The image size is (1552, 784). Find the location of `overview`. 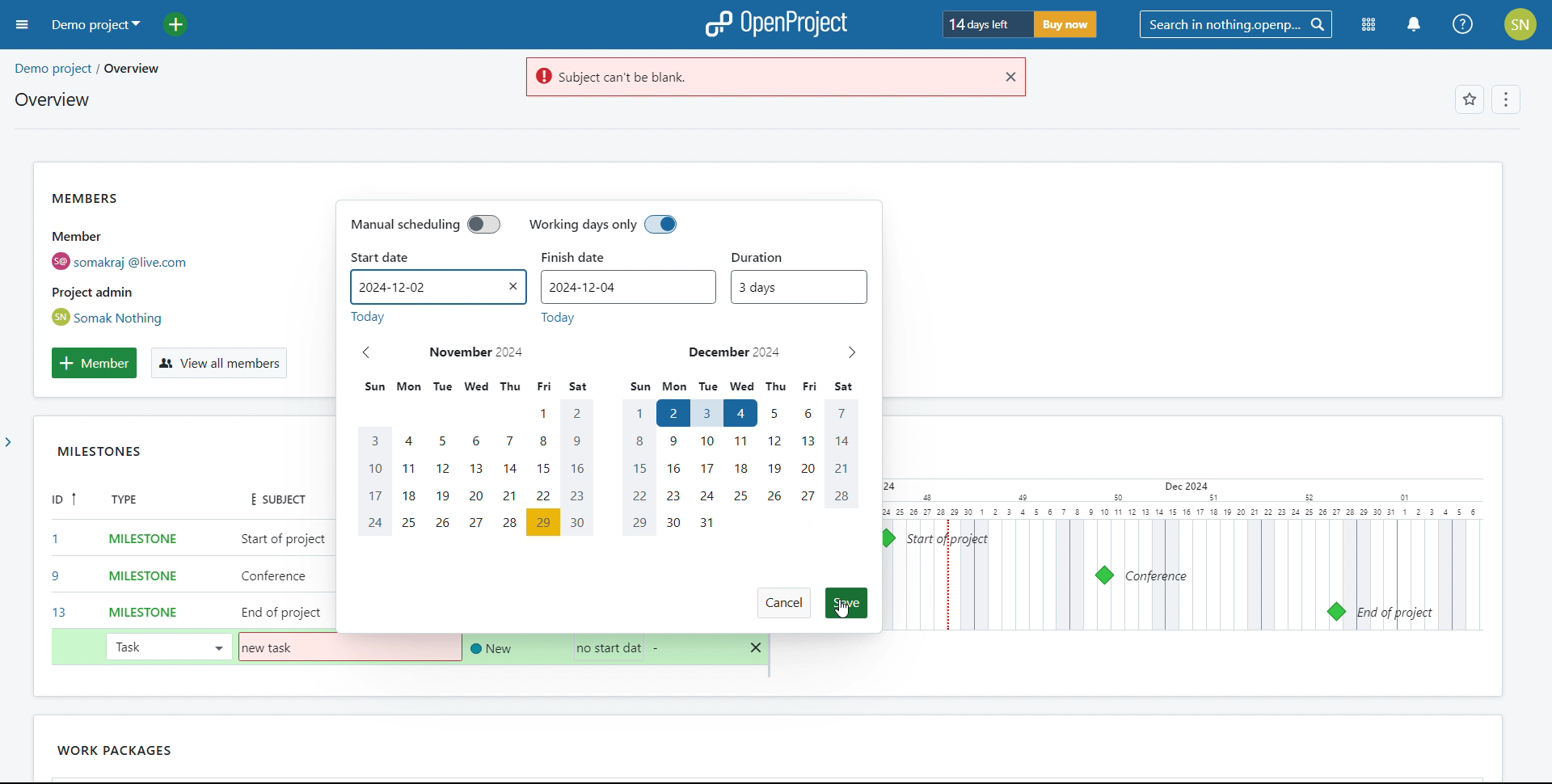

overview is located at coordinates (51, 99).